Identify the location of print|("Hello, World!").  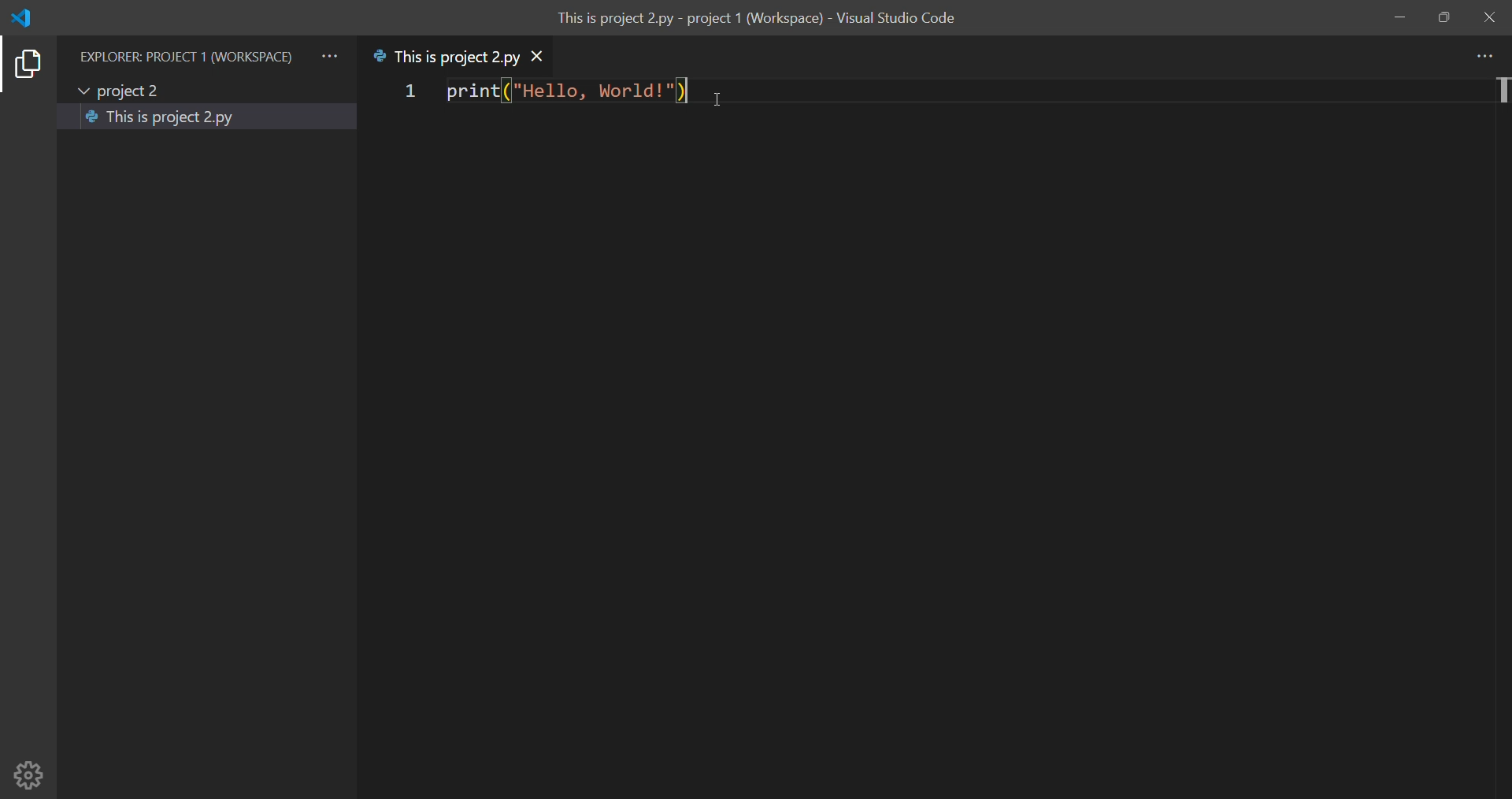
(561, 95).